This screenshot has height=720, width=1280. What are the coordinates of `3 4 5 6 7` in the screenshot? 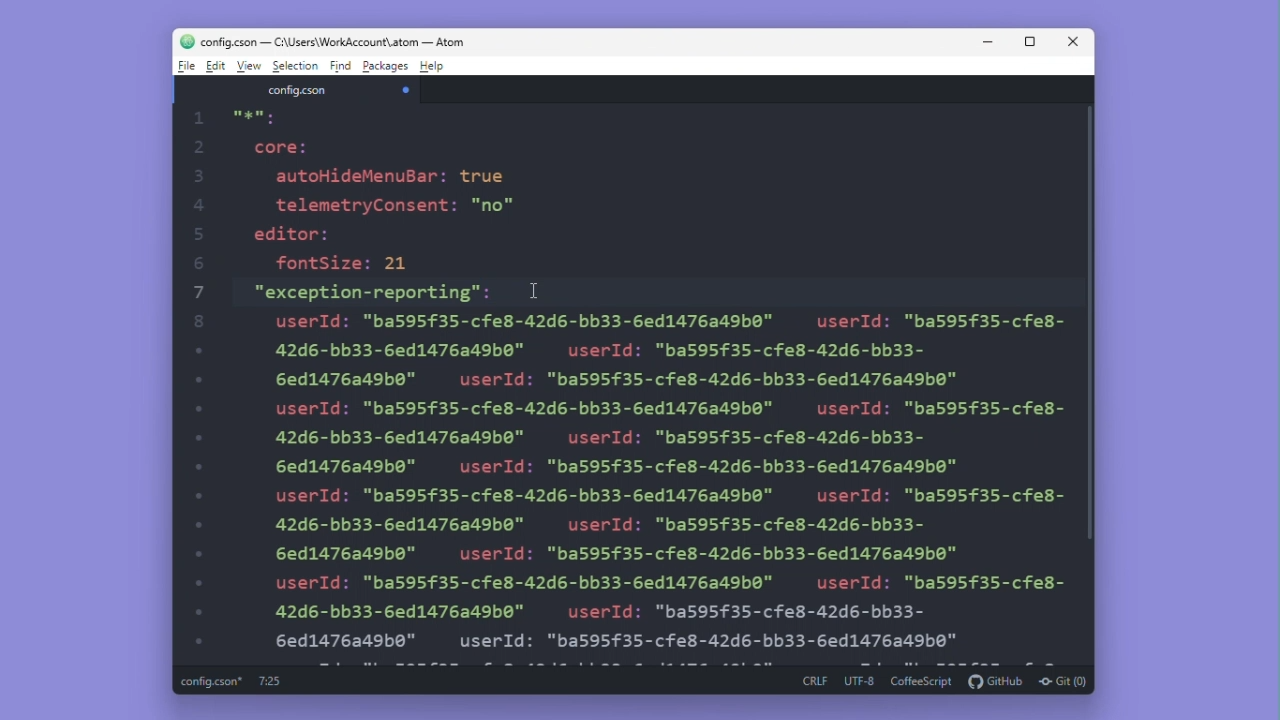 It's located at (199, 409).